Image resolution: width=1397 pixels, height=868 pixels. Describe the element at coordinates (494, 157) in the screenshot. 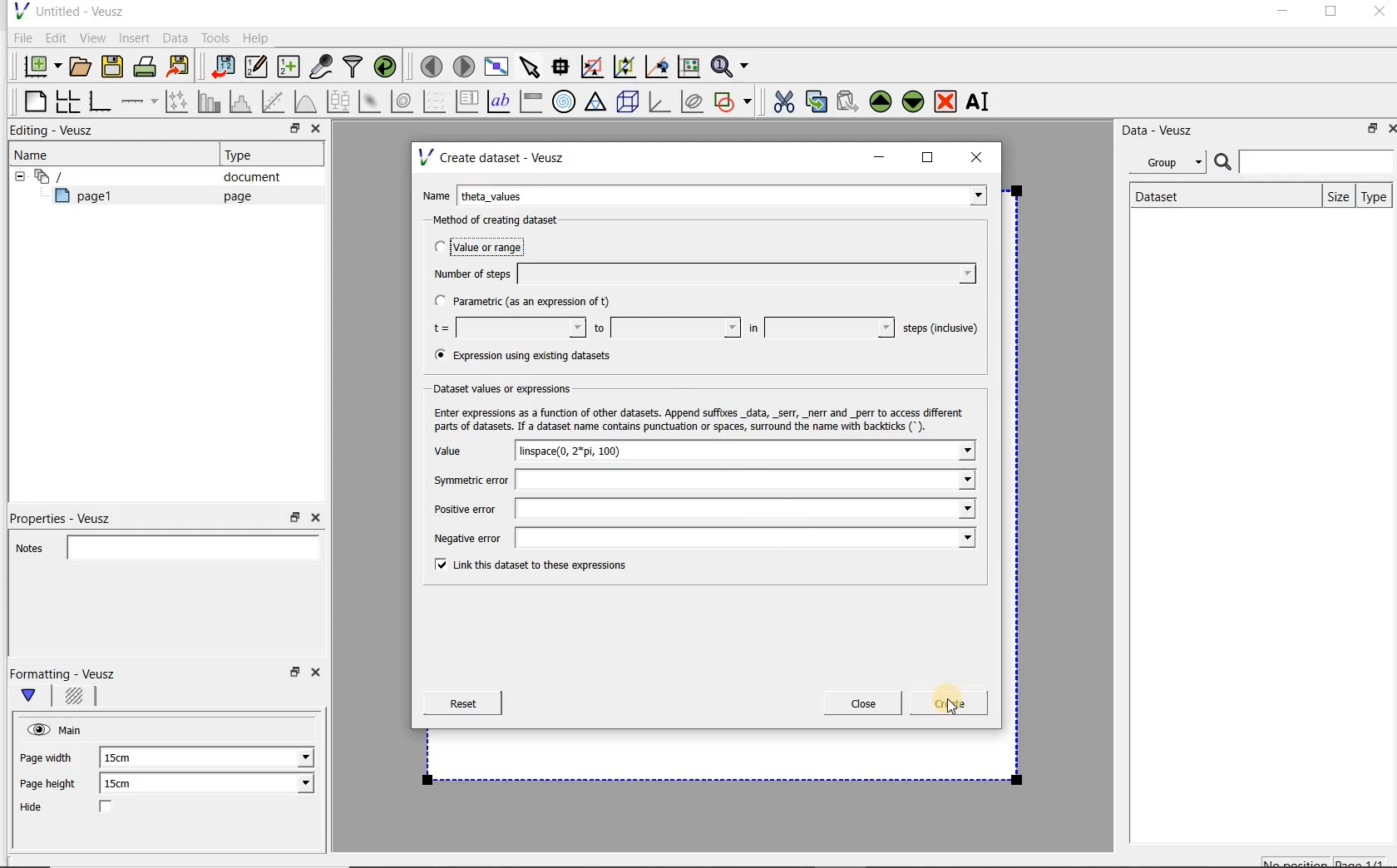

I see `Create dataset - Veusz` at that location.